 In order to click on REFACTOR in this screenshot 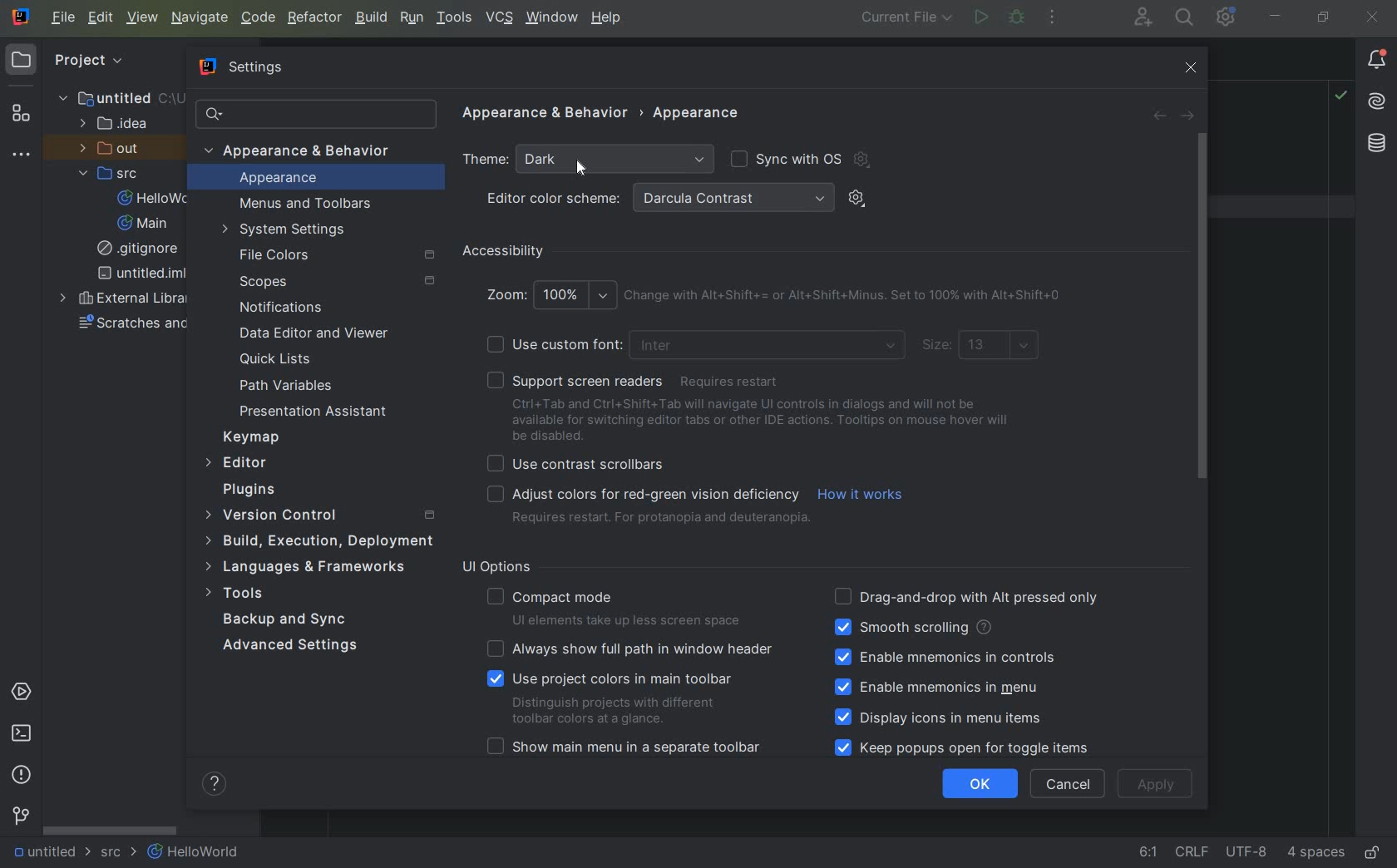, I will do `click(316, 17)`.